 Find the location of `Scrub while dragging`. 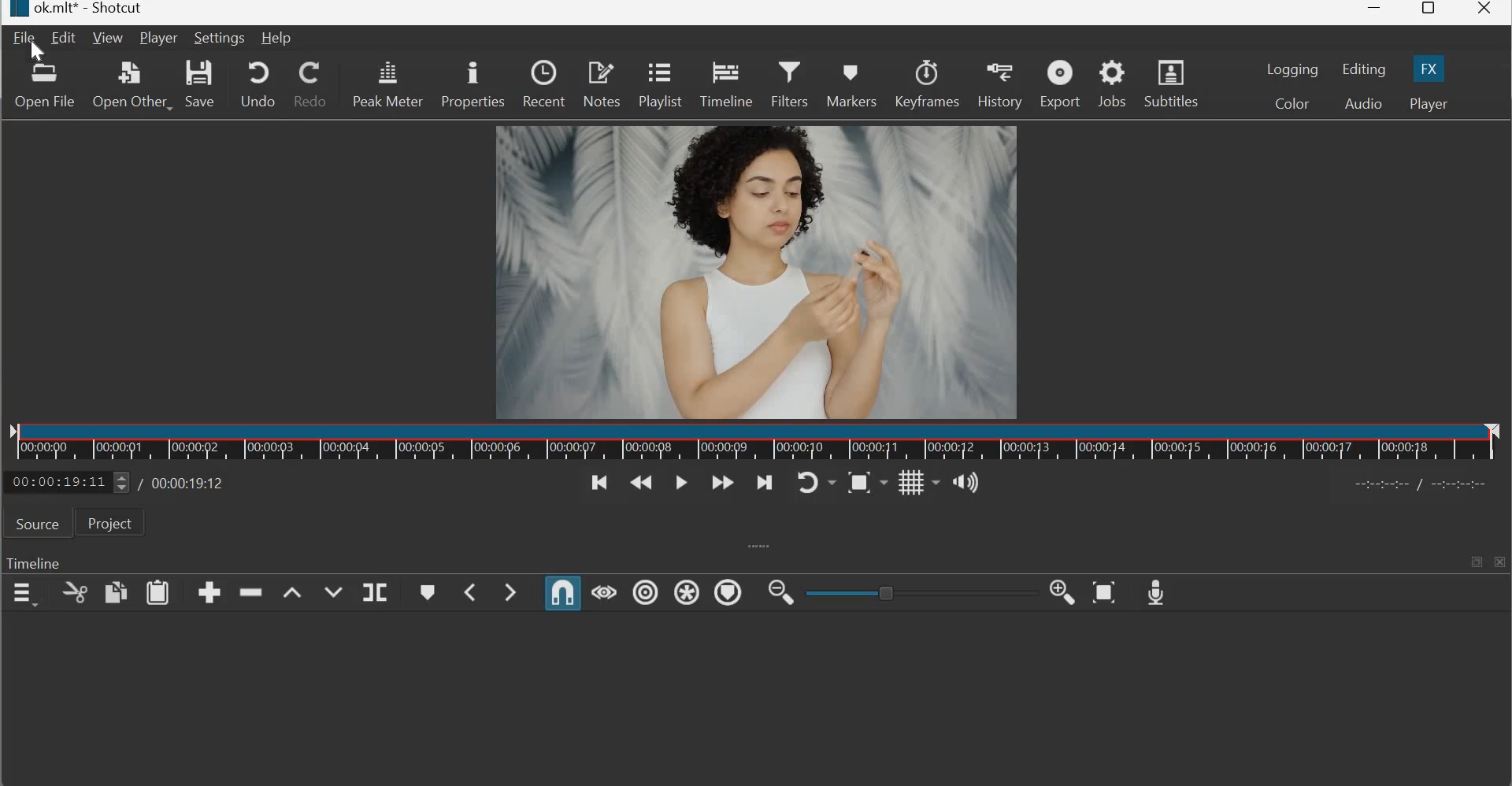

Scrub while dragging is located at coordinates (605, 591).